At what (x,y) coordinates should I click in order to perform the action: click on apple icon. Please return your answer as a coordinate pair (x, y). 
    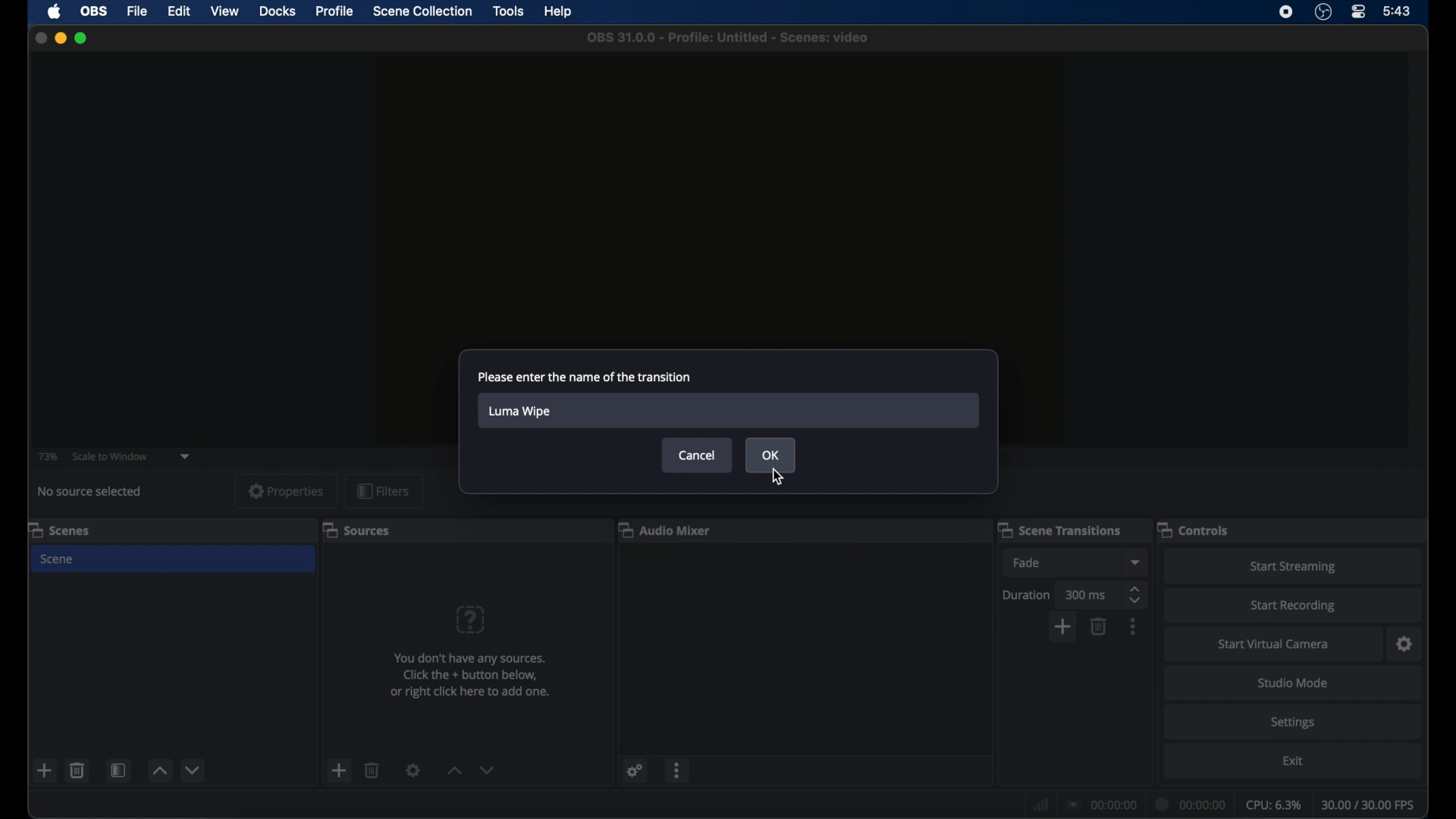
    Looking at the image, I should click on (55, 12).